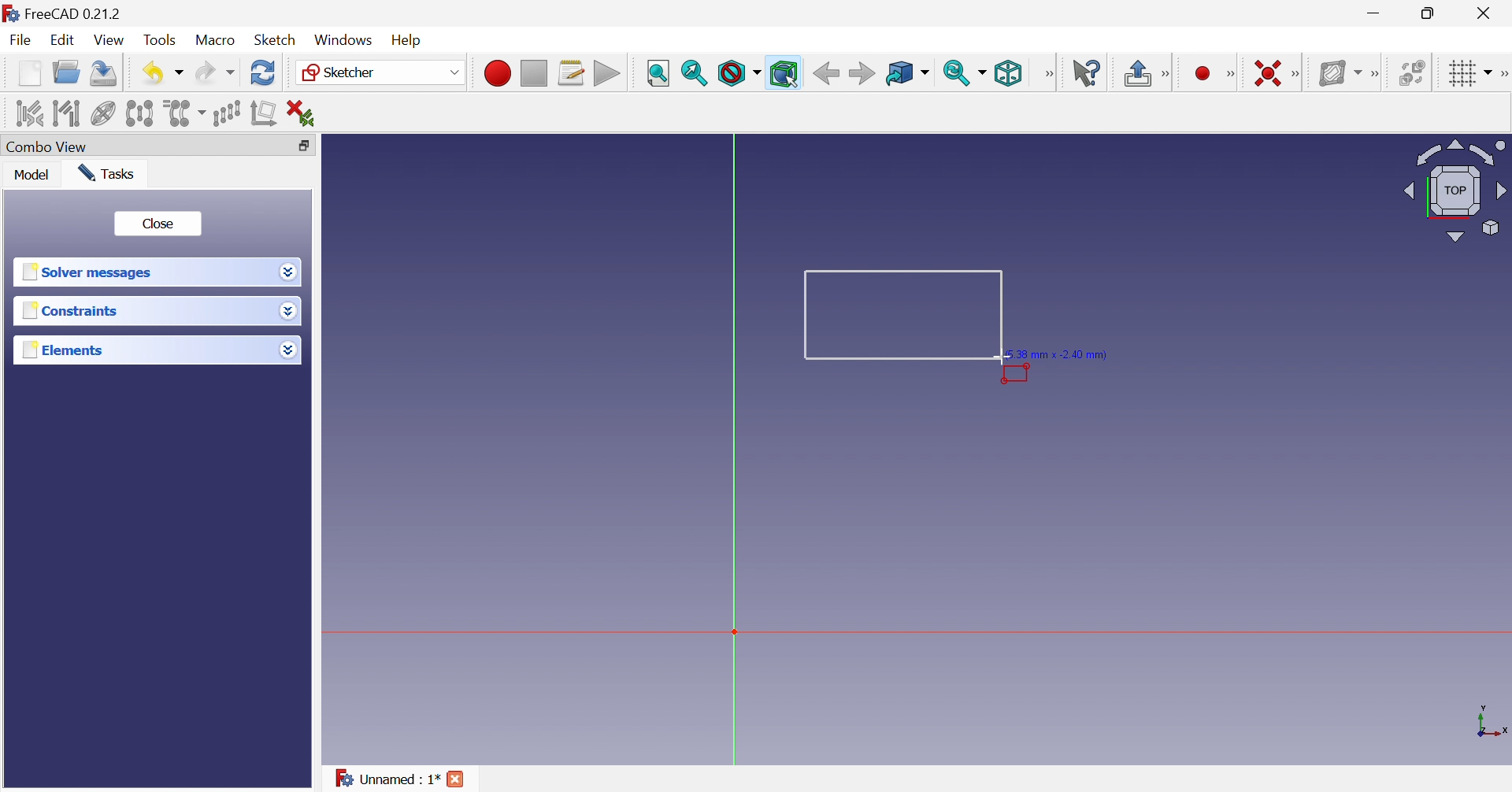 The height and width of the screenshot is (792, 1512). What do you see at coordinates (86, 271) in the screenshot?
I see `Solver messages` at bounding box center [86, 271].